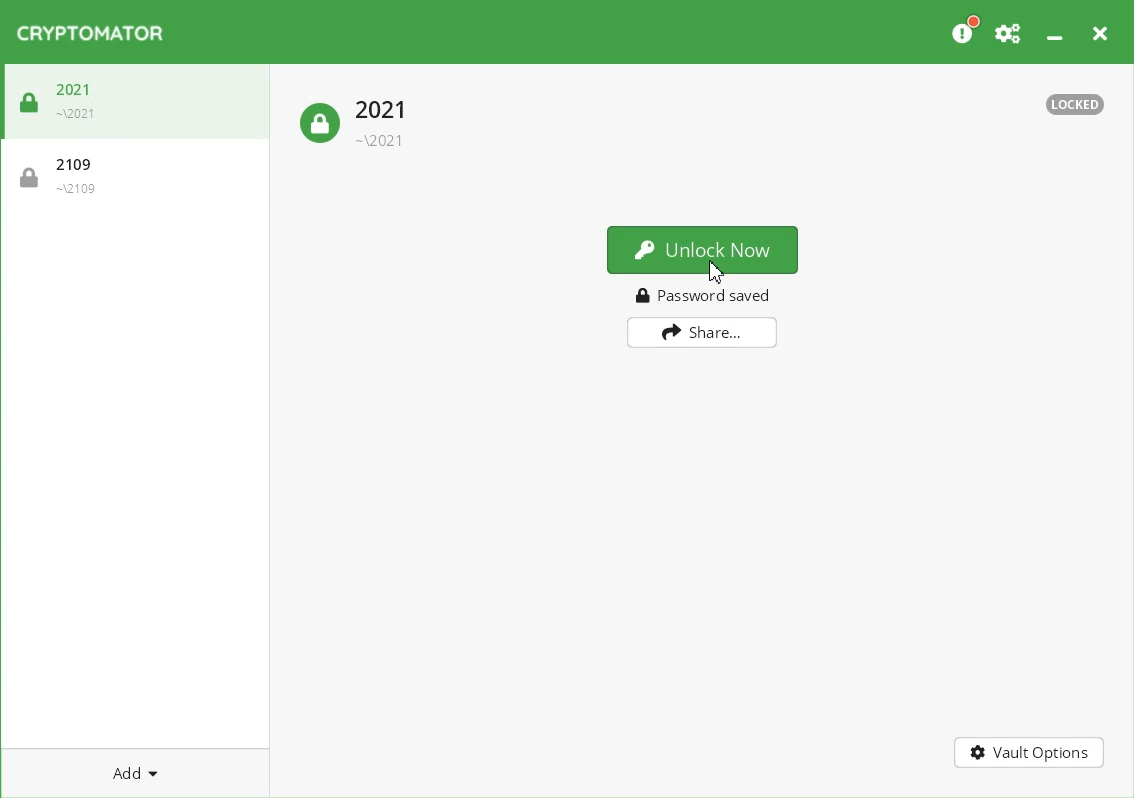 The width and height of the screenshot is (1134, 798). Describe the element at coordinates (1099, 33) in the screenshot. I see `Close` at that location.